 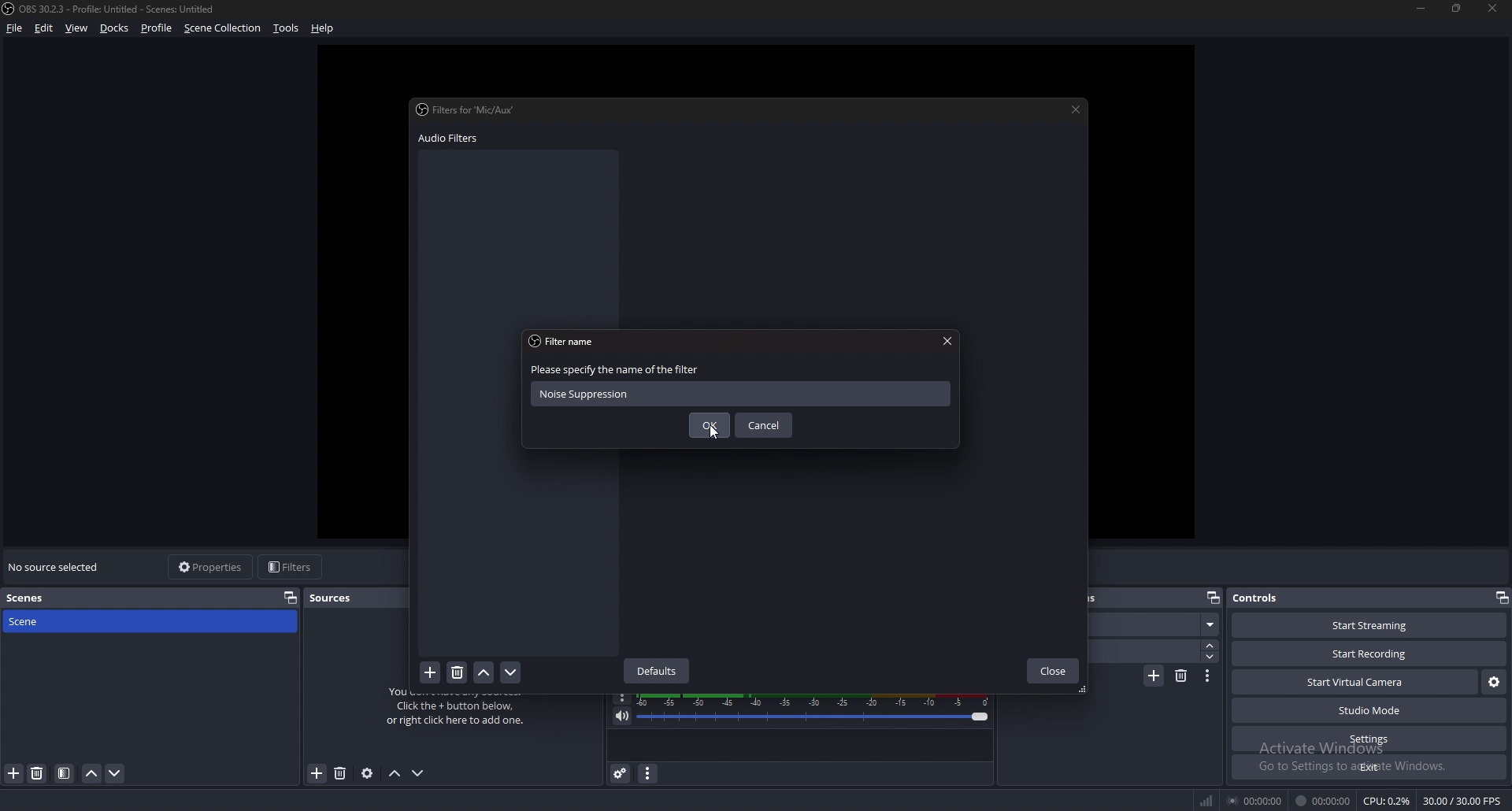 What do you see at coordinates (1212, 657) in the screenshot?
I see `decrease duration` at bounding box center [1212, 657].